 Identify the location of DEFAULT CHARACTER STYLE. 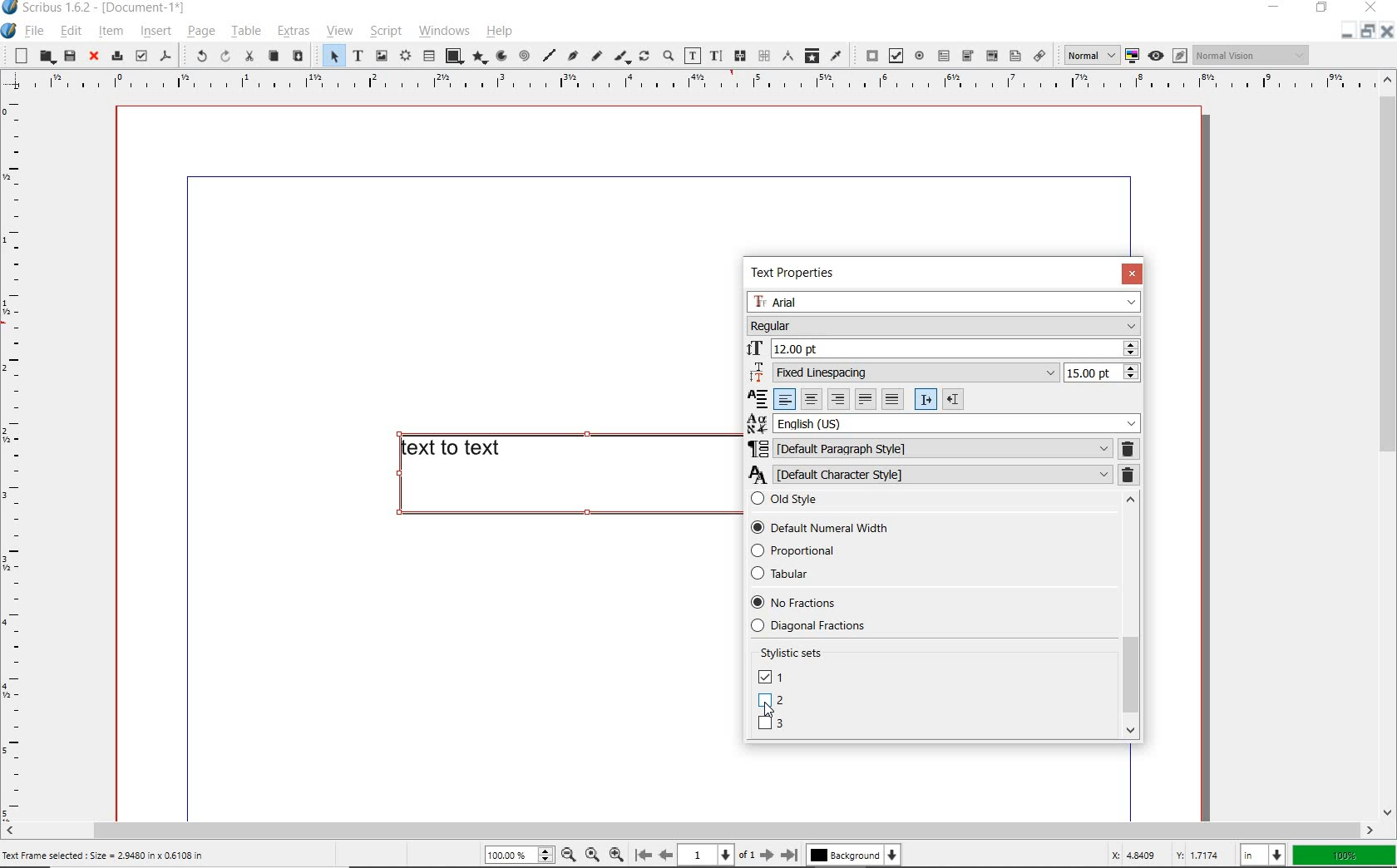
(932, 476).